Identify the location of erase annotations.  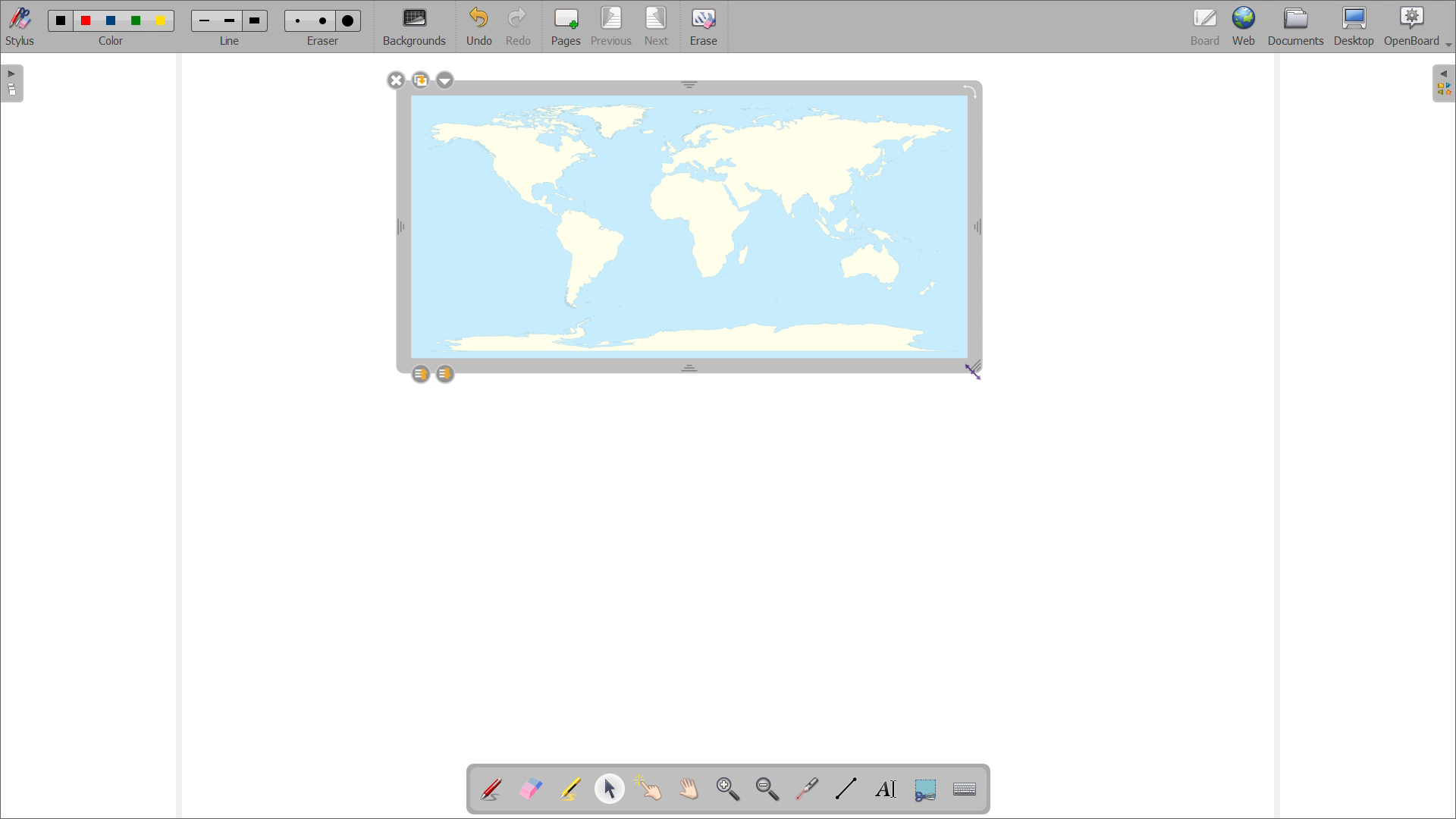
(530, 787).